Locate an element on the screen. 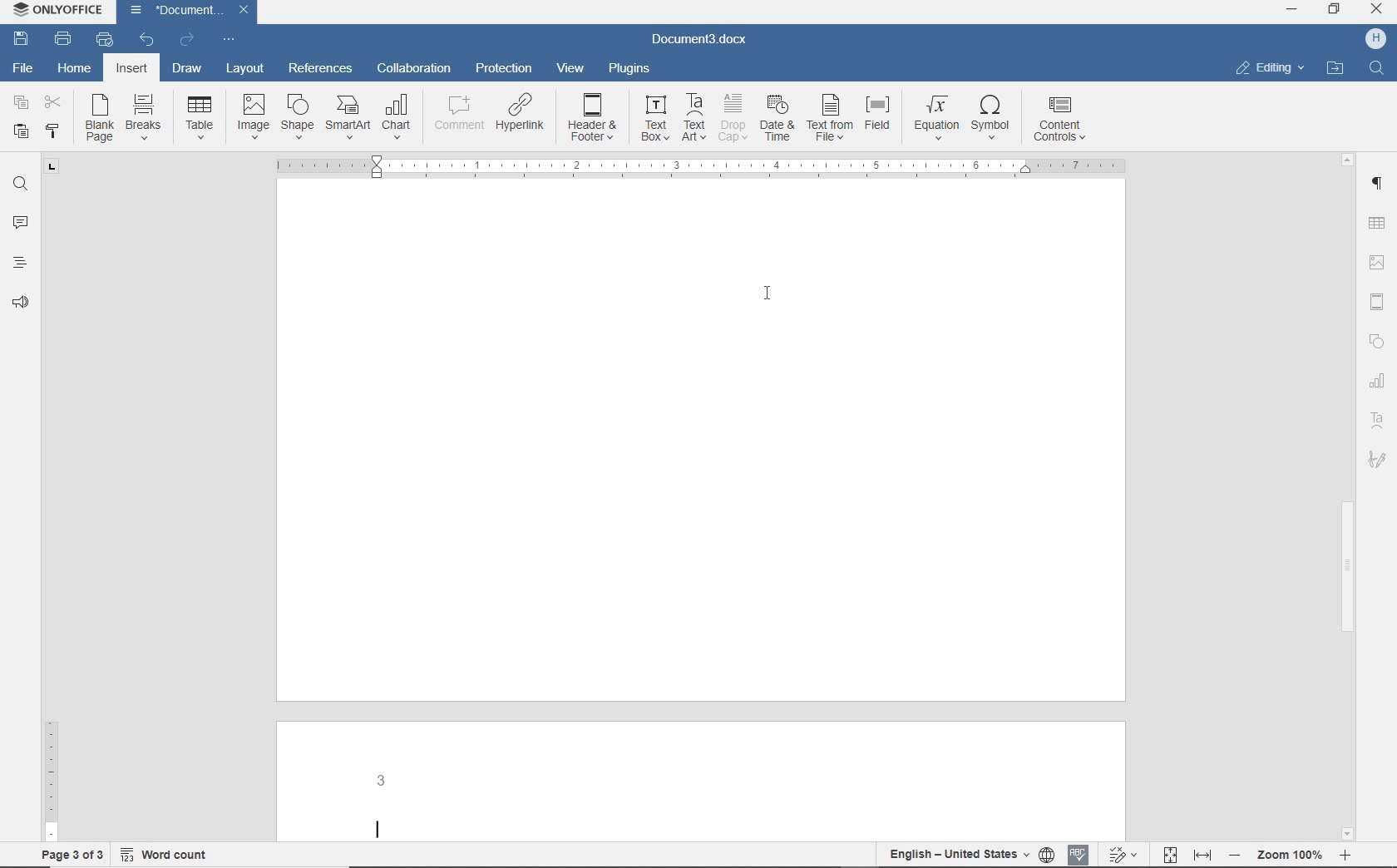  TEXT BOX is located at coordinates (654, 116).